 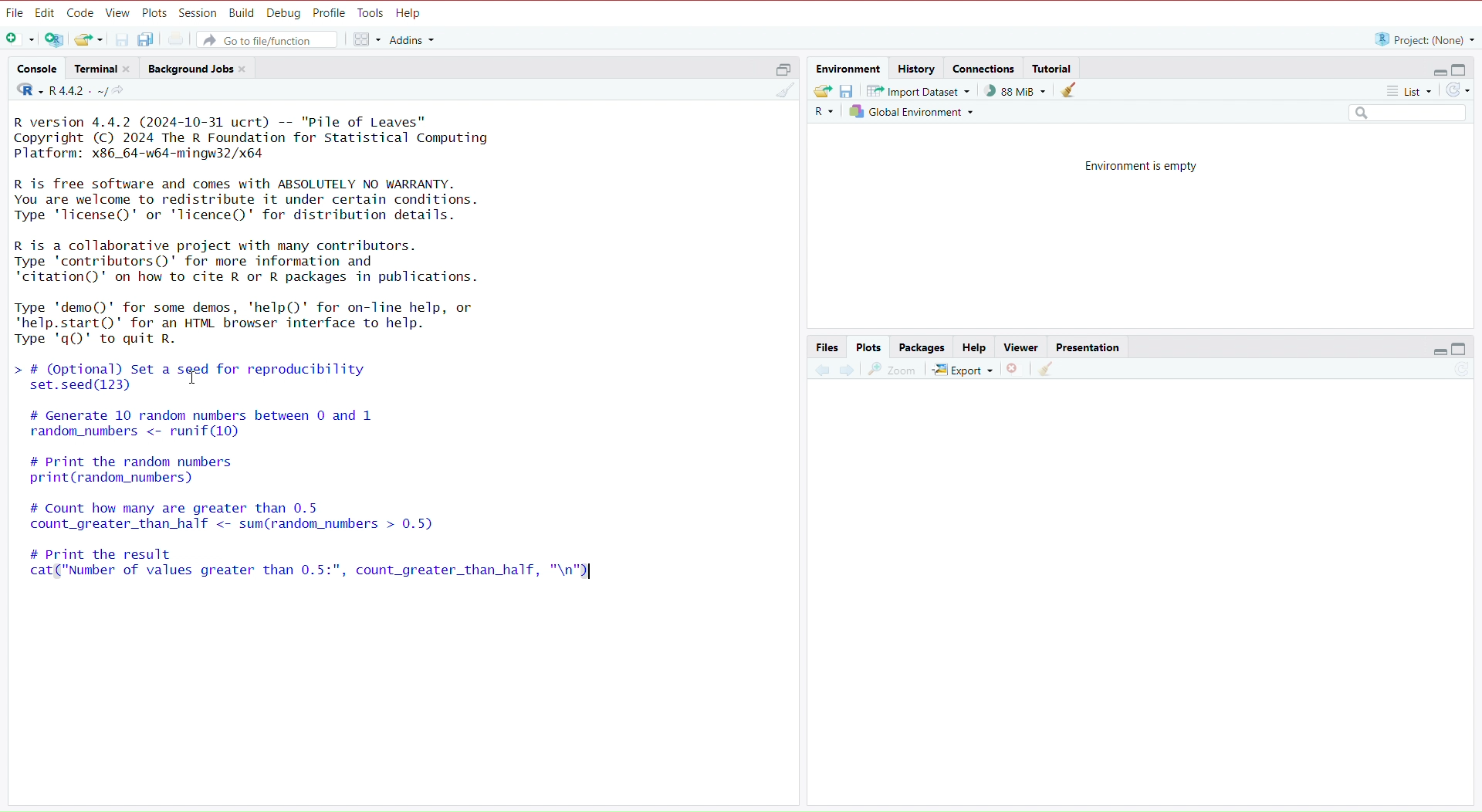 I want to click on Full Height, so click(x=1461, y=68).